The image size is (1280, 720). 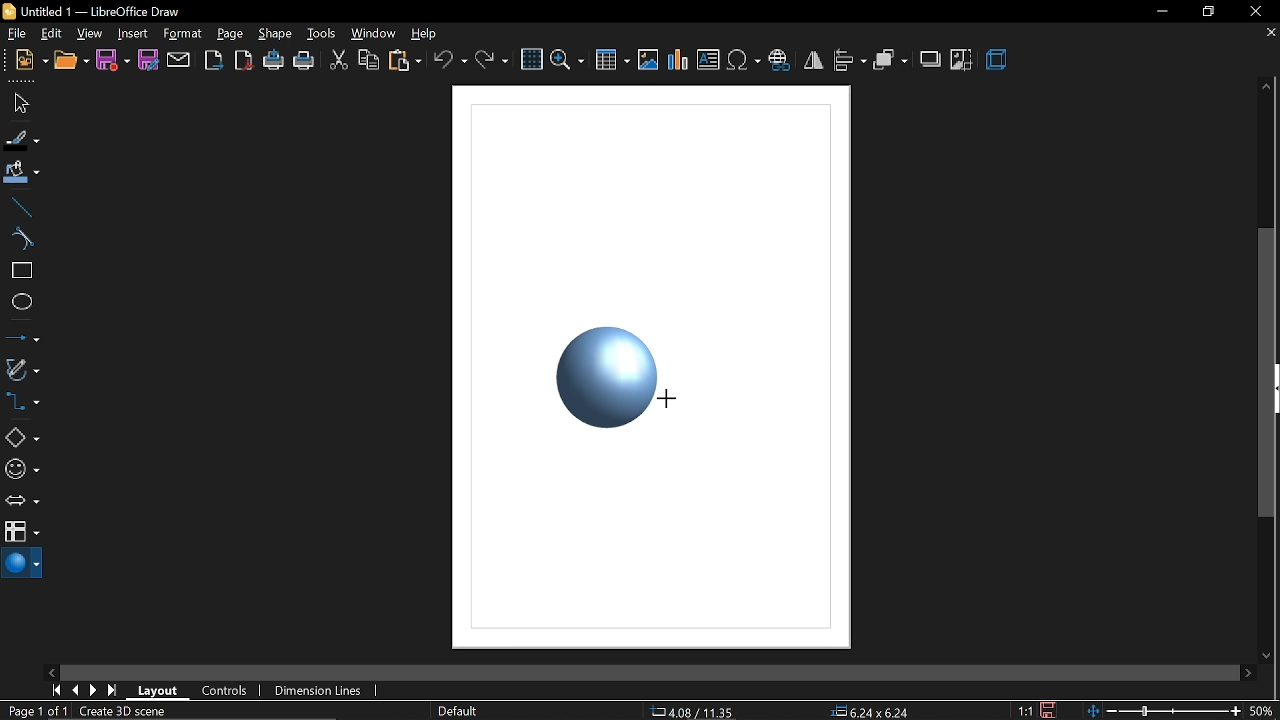 I want to click on move down, so click(x=1270, y=655).